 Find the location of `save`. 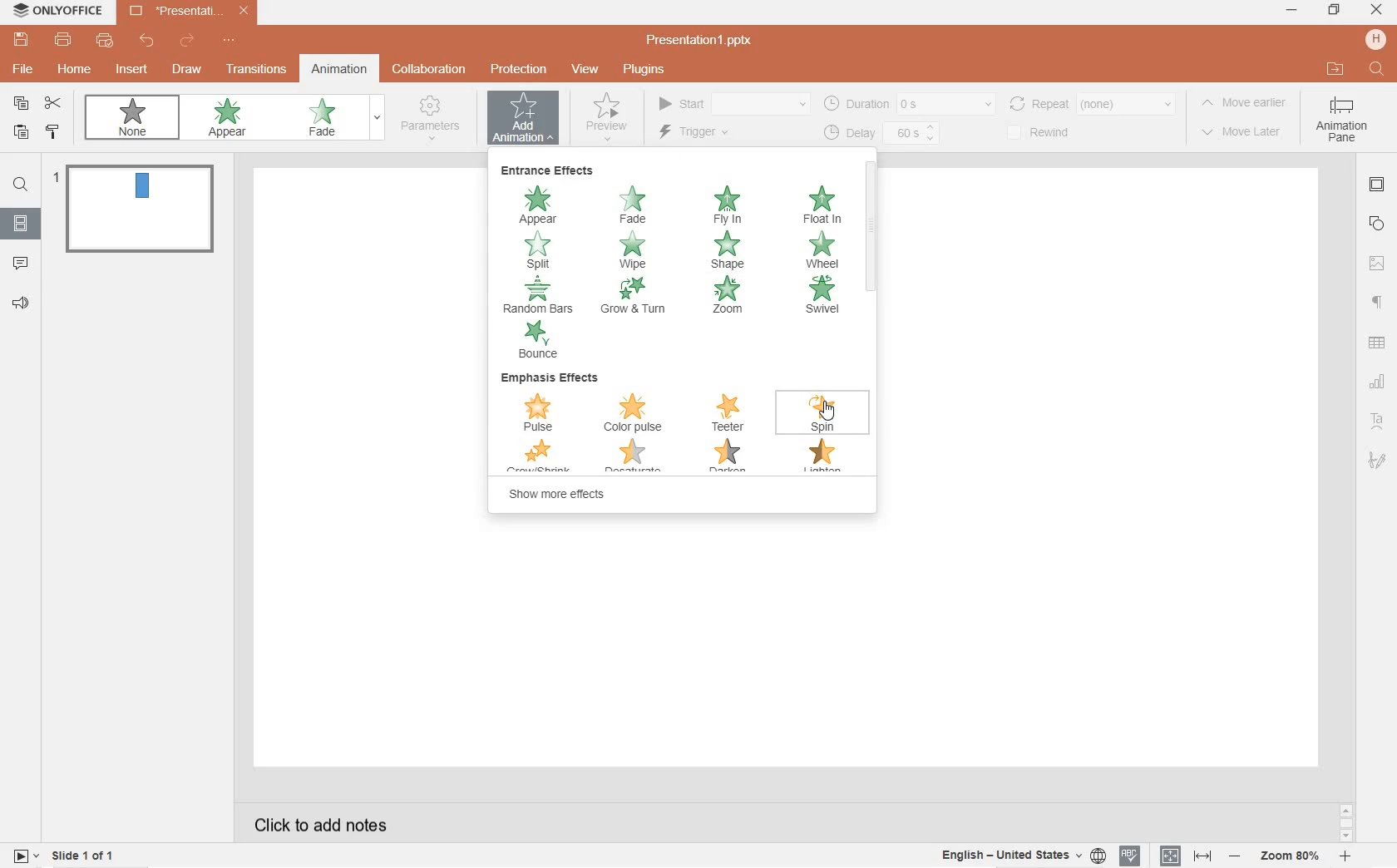

save is located at coordinates (21, 40).